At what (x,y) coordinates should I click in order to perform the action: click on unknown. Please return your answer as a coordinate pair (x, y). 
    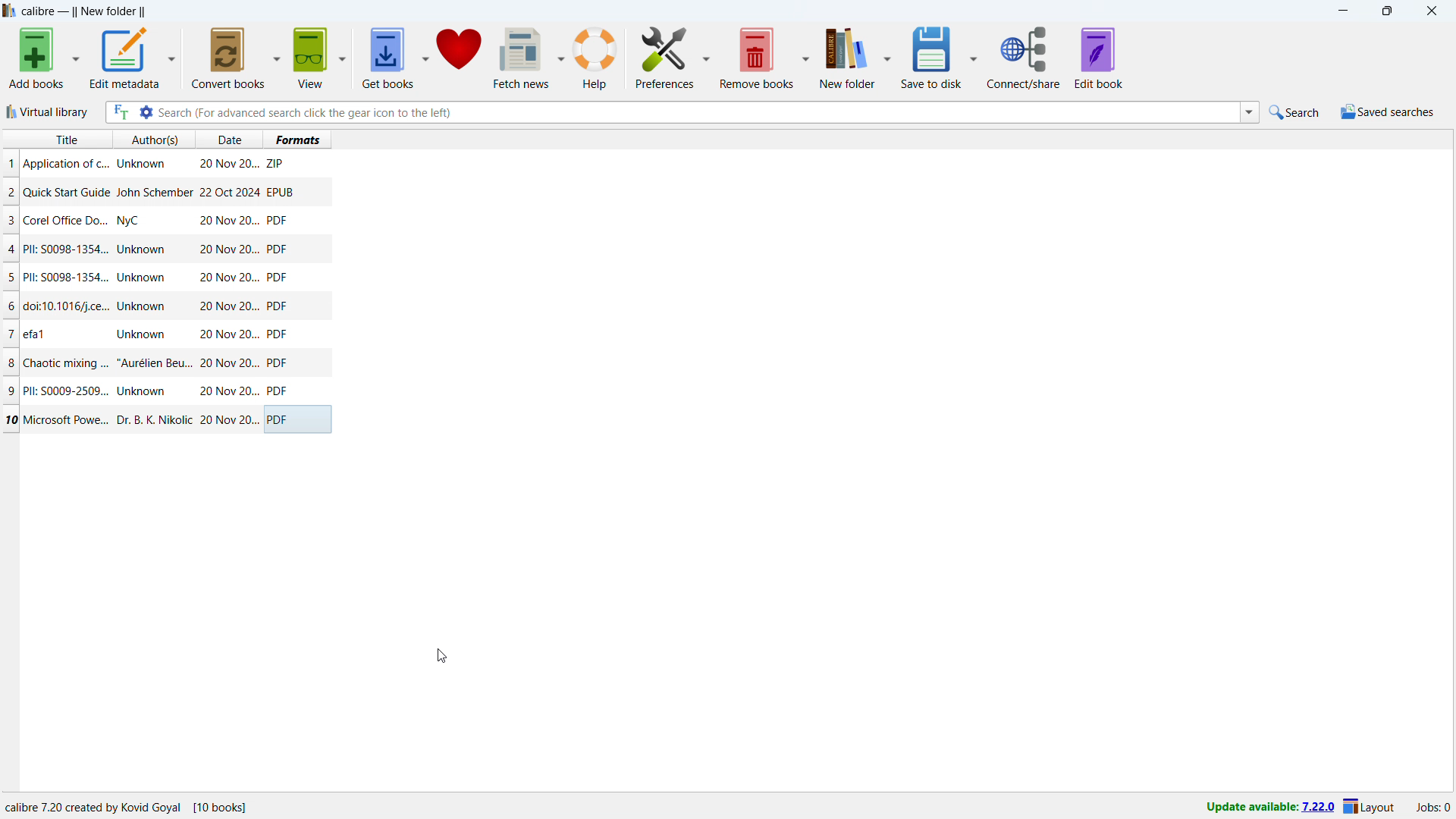
    Looking at the image, I should click on (142, 164).